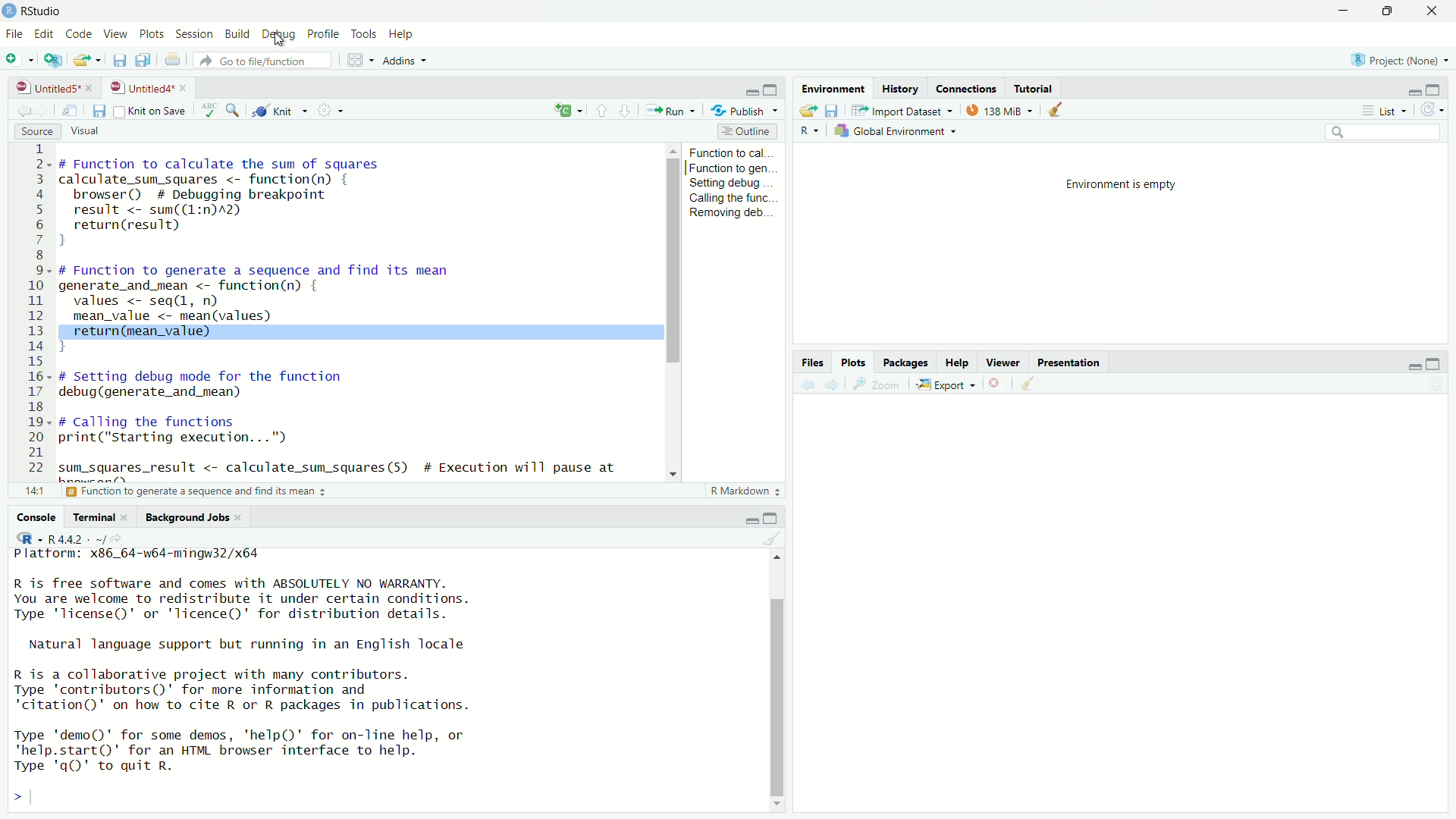 This screenshot has height=819, width=1456. What do you see at coordinates (26, 491) in the screenshot?
I see `1:1` at bounding box center [26, 491].